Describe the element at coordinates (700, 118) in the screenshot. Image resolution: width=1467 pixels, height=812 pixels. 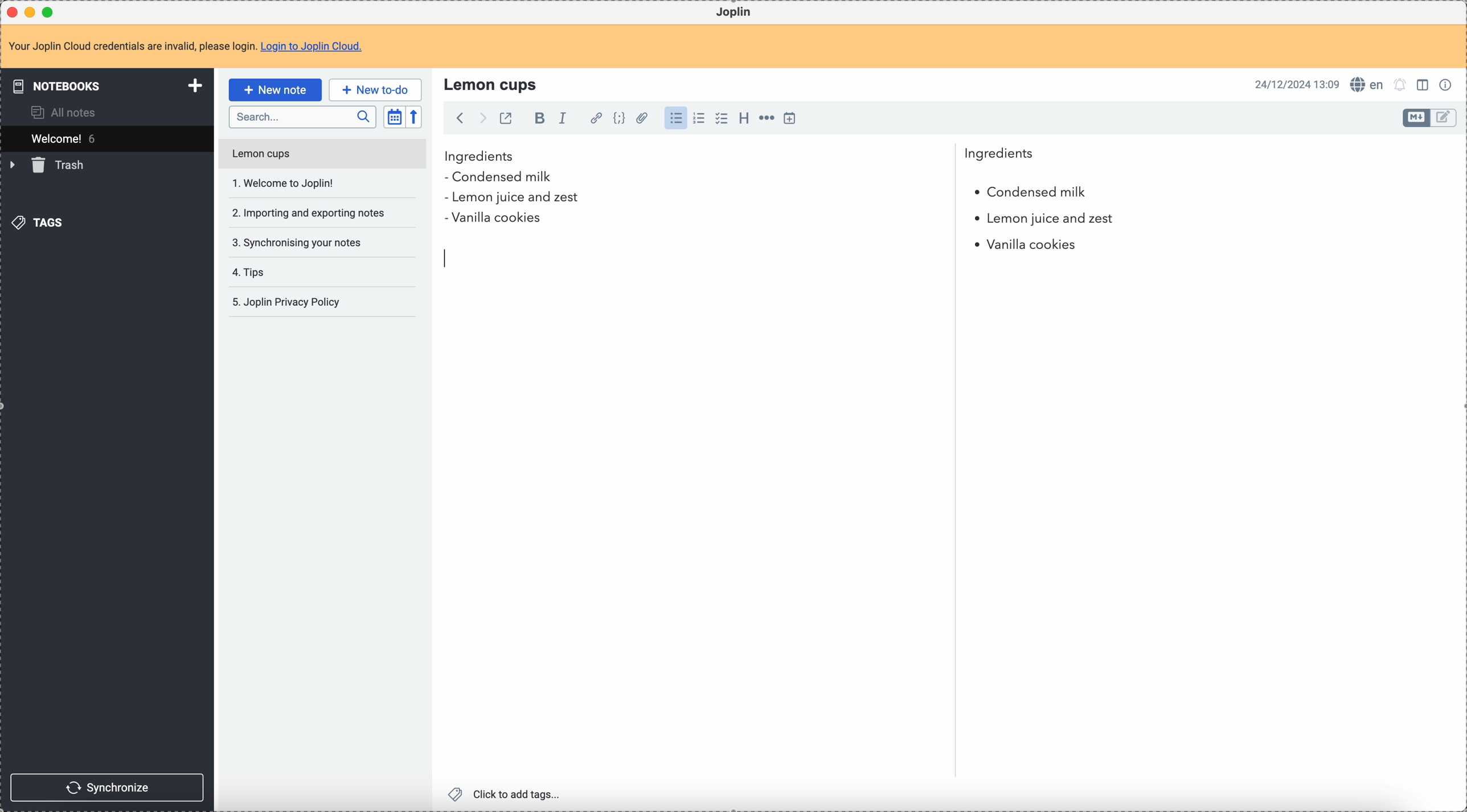
I see `numbered list` at that location.